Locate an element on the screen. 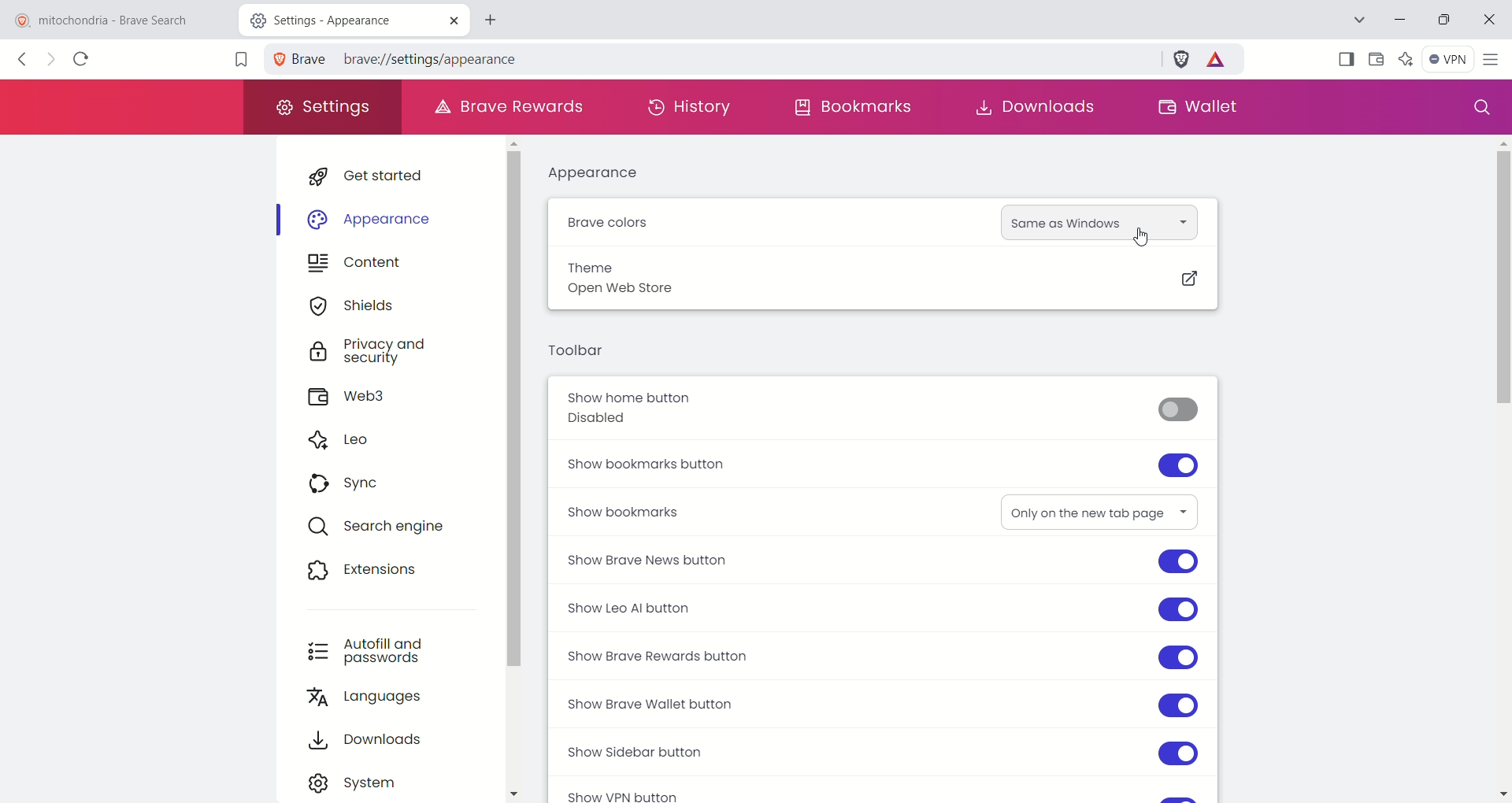 The width and height of the screenshot is (1512, 803). customize and control brave is located at coordinates (1494, 60).